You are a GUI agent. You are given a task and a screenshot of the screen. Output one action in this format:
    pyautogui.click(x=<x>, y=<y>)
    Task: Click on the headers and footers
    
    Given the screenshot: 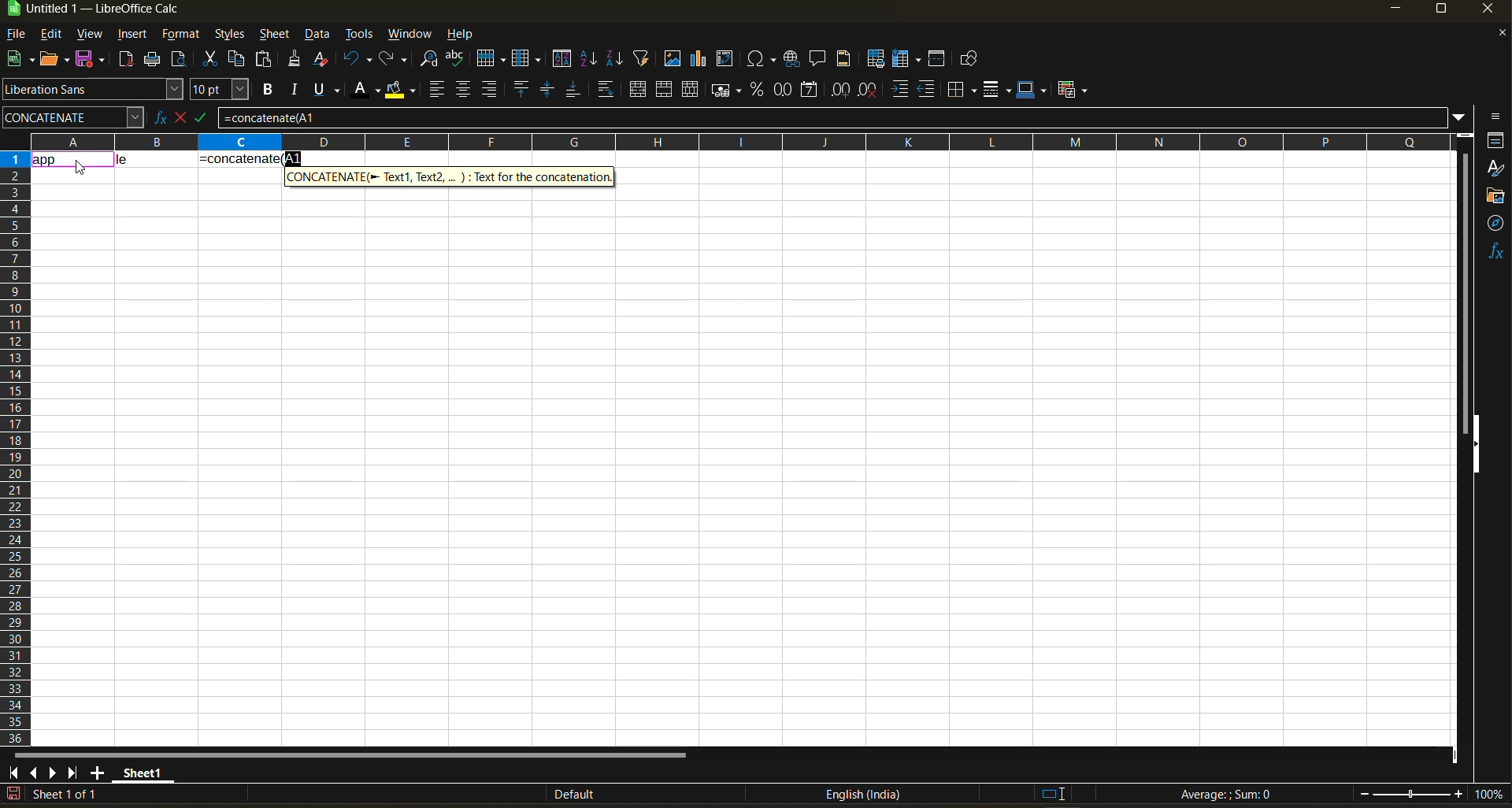 What is the action you would take?
    pyautogui.click(x=844, y=57)
    